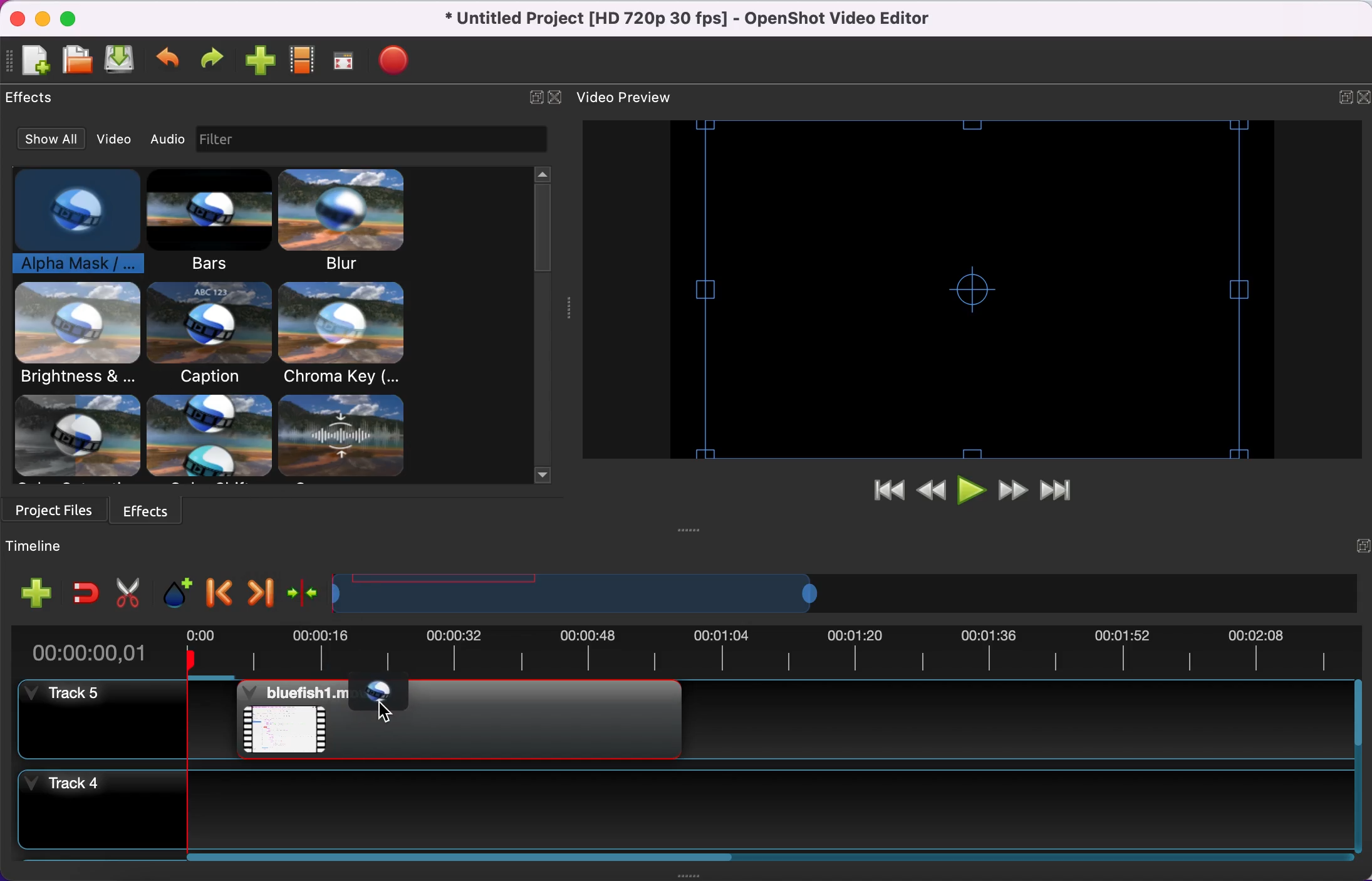 This screenshot has height=881, width=1372. I want to click on undo, so click(169, 63).